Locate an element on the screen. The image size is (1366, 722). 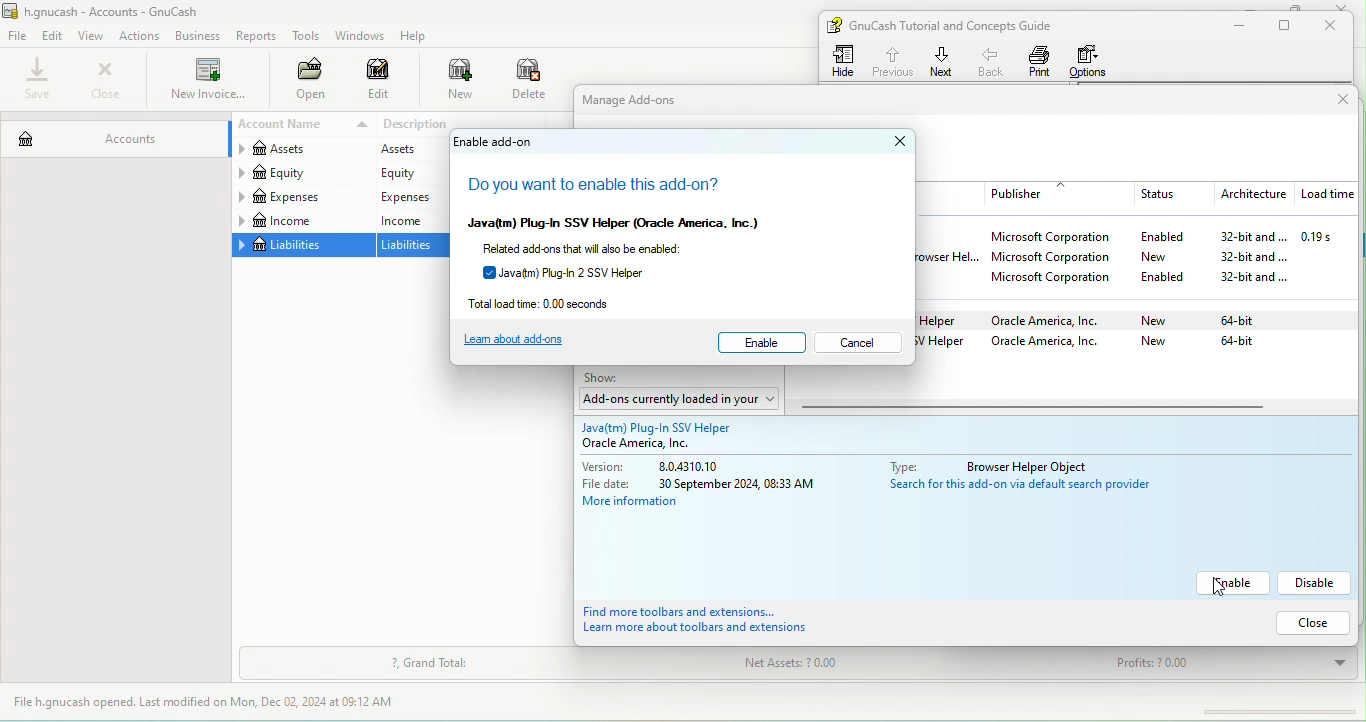
oracle america lnc is located at coordinates (664, 444).